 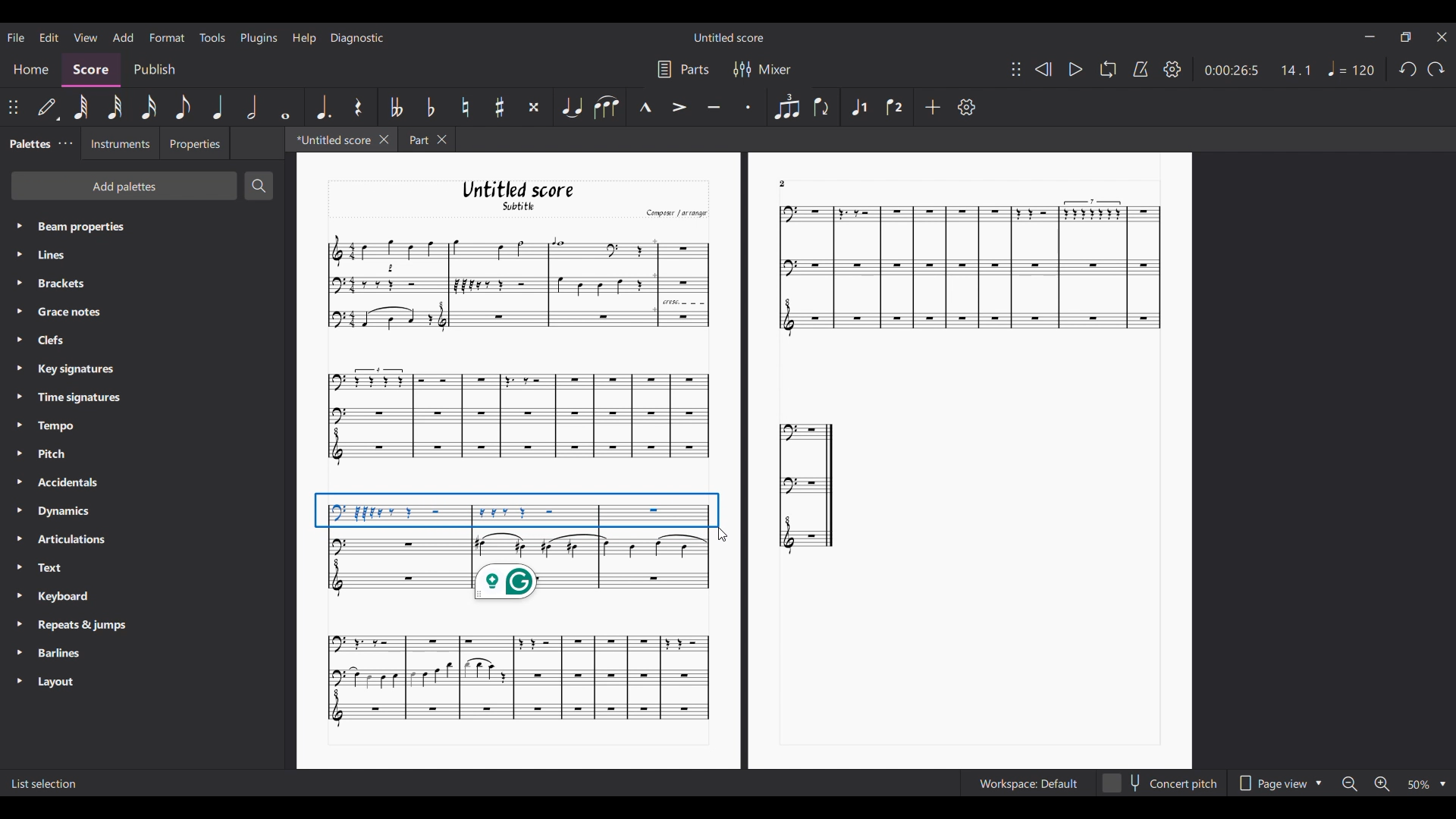 I want to click on Edit menu, so click(x=49, y=37).